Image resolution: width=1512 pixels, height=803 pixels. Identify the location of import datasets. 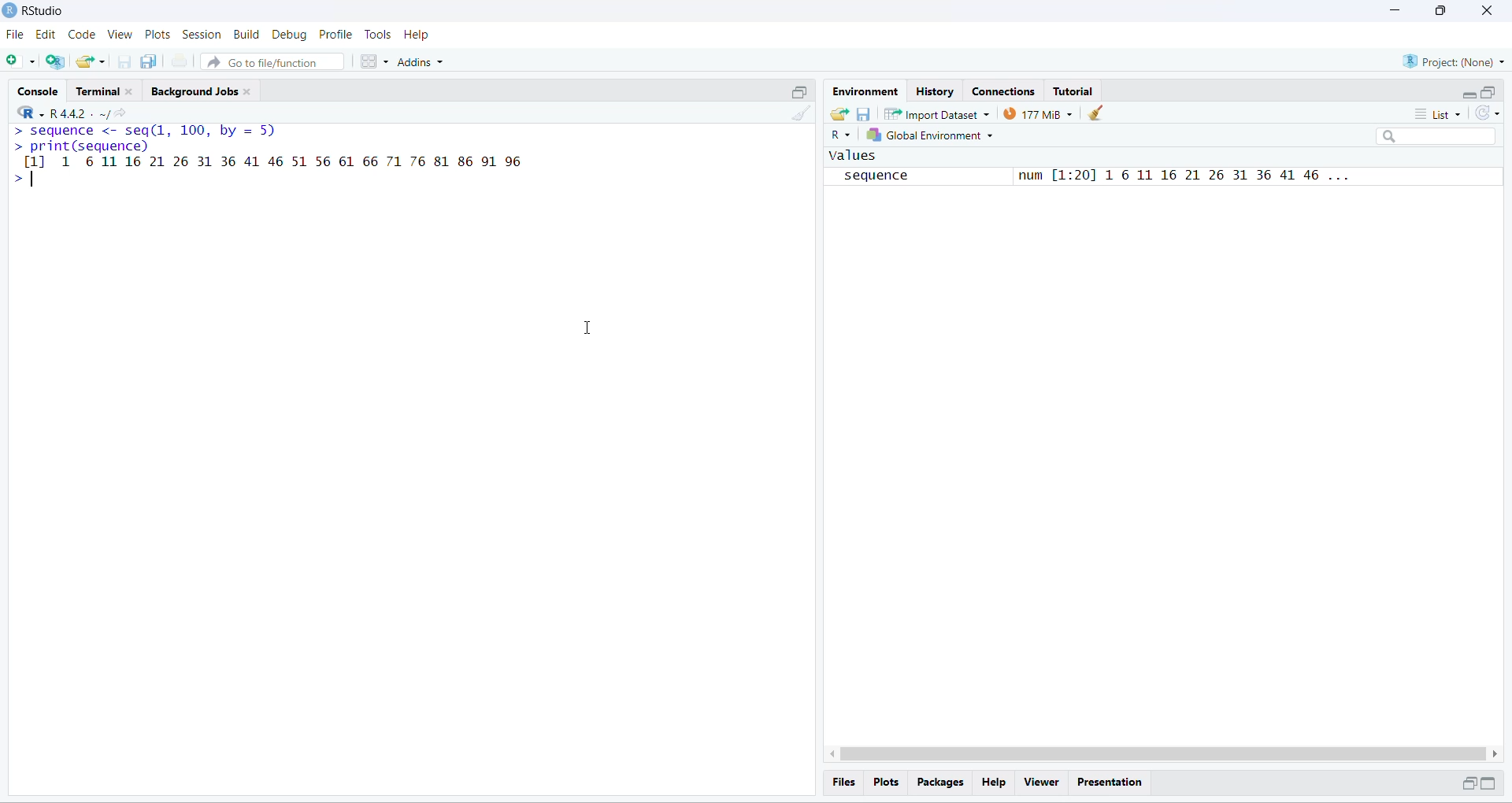
(938, 113).